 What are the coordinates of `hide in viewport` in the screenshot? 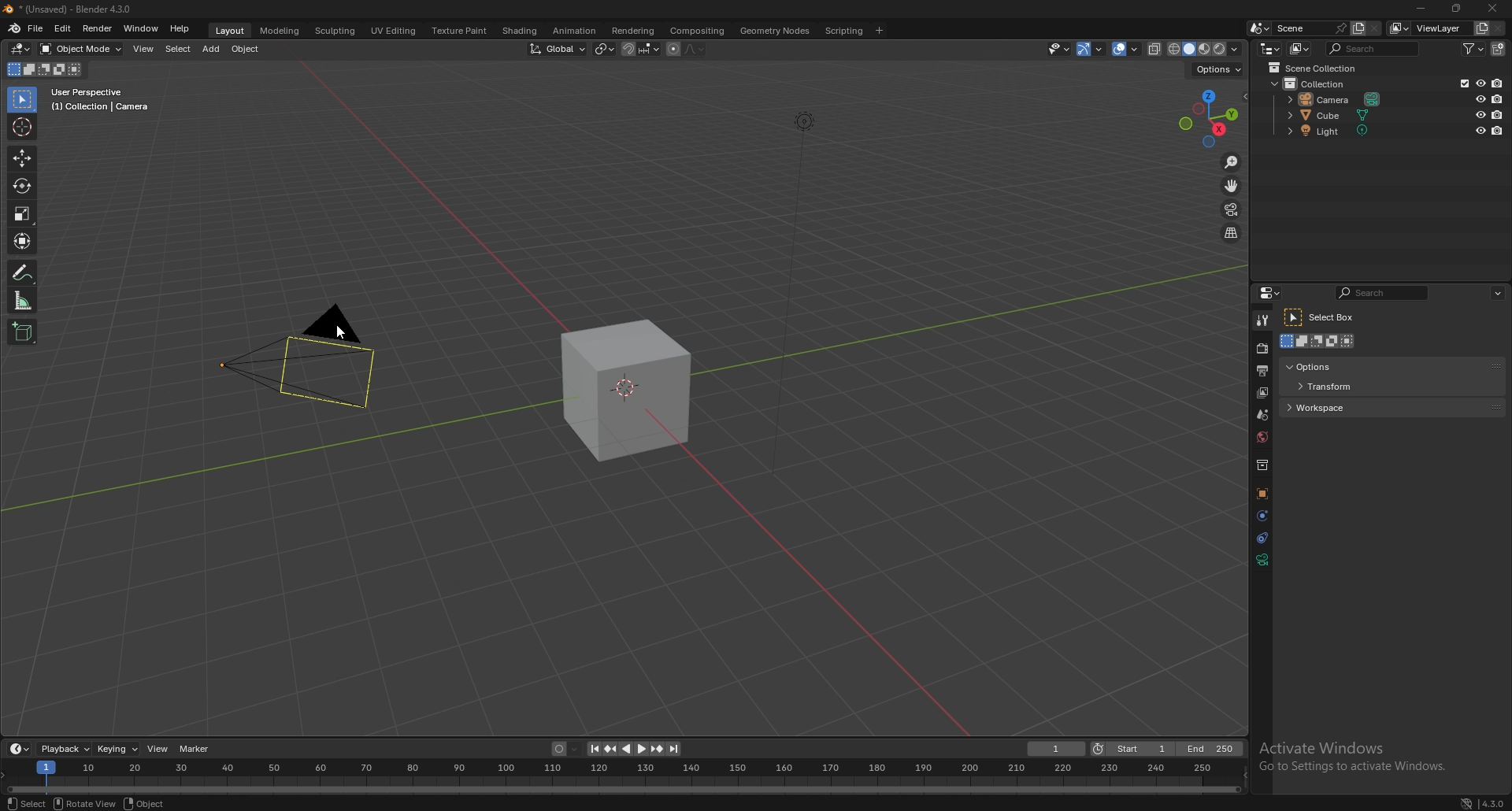 It's located at (1480, 131).